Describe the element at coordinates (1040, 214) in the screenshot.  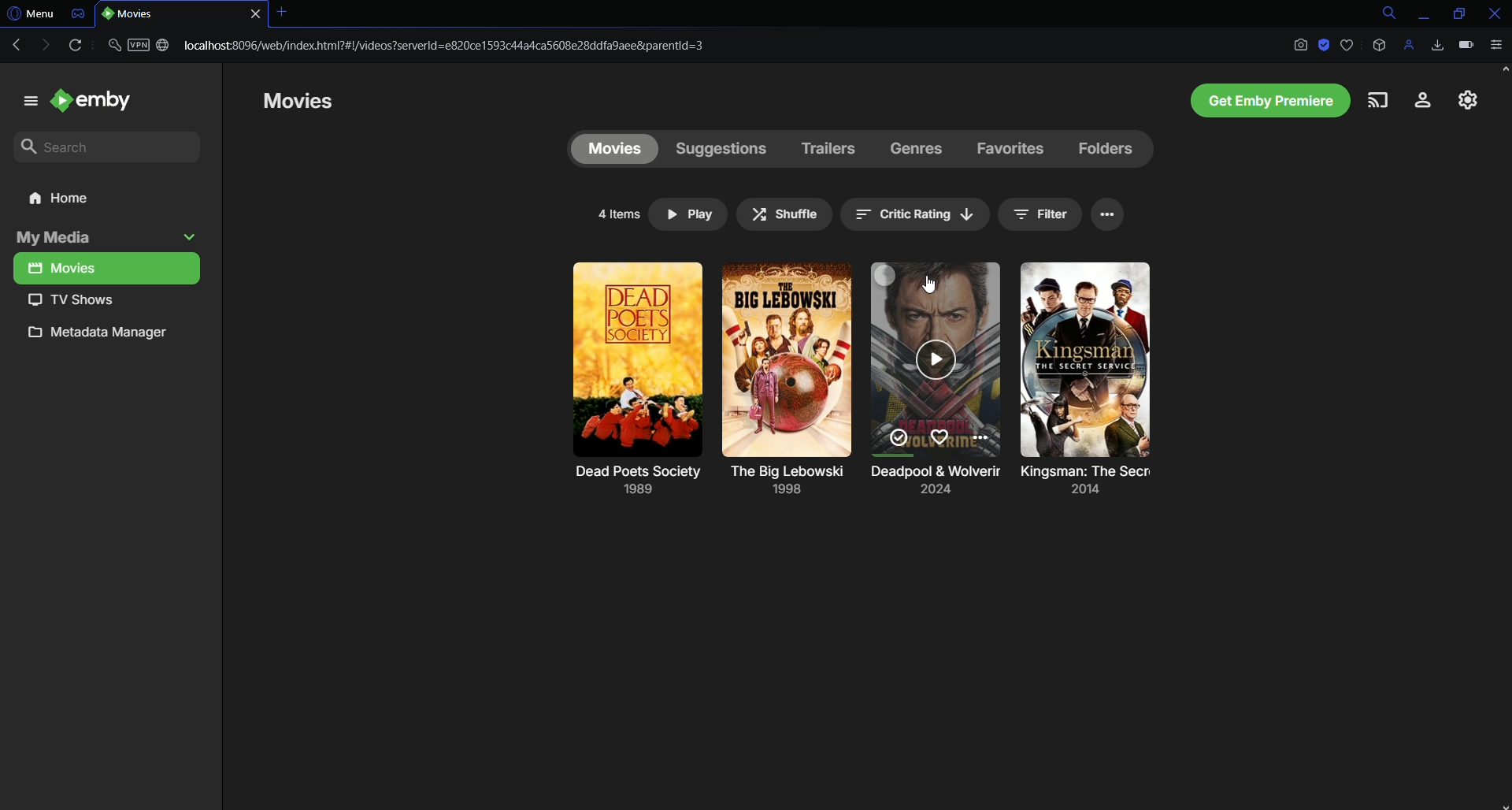
I see `Filter` at that location.